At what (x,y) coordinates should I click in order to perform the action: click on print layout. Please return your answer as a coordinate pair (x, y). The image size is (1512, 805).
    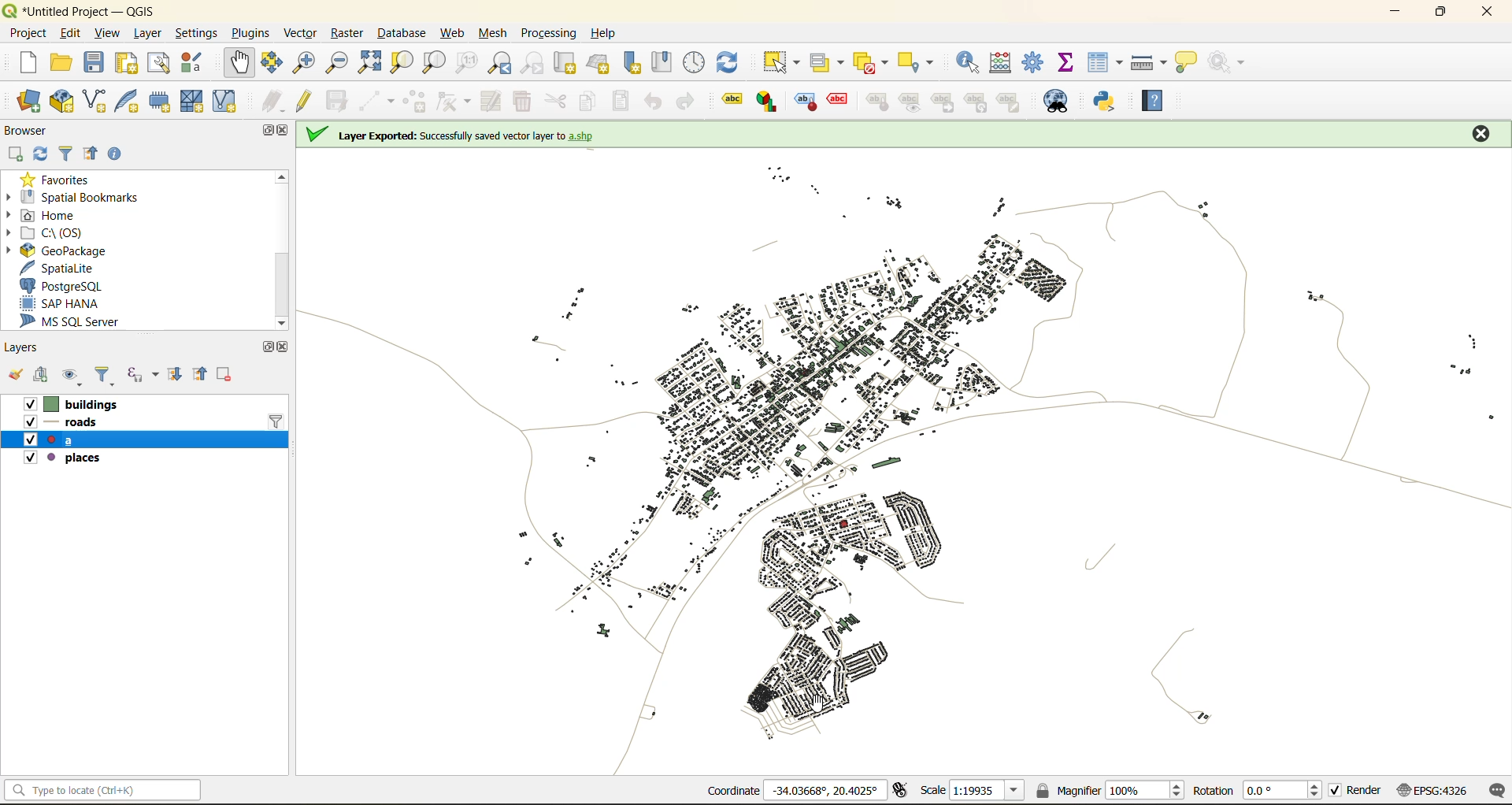
    Looking at the image, I should click on (132, 63).